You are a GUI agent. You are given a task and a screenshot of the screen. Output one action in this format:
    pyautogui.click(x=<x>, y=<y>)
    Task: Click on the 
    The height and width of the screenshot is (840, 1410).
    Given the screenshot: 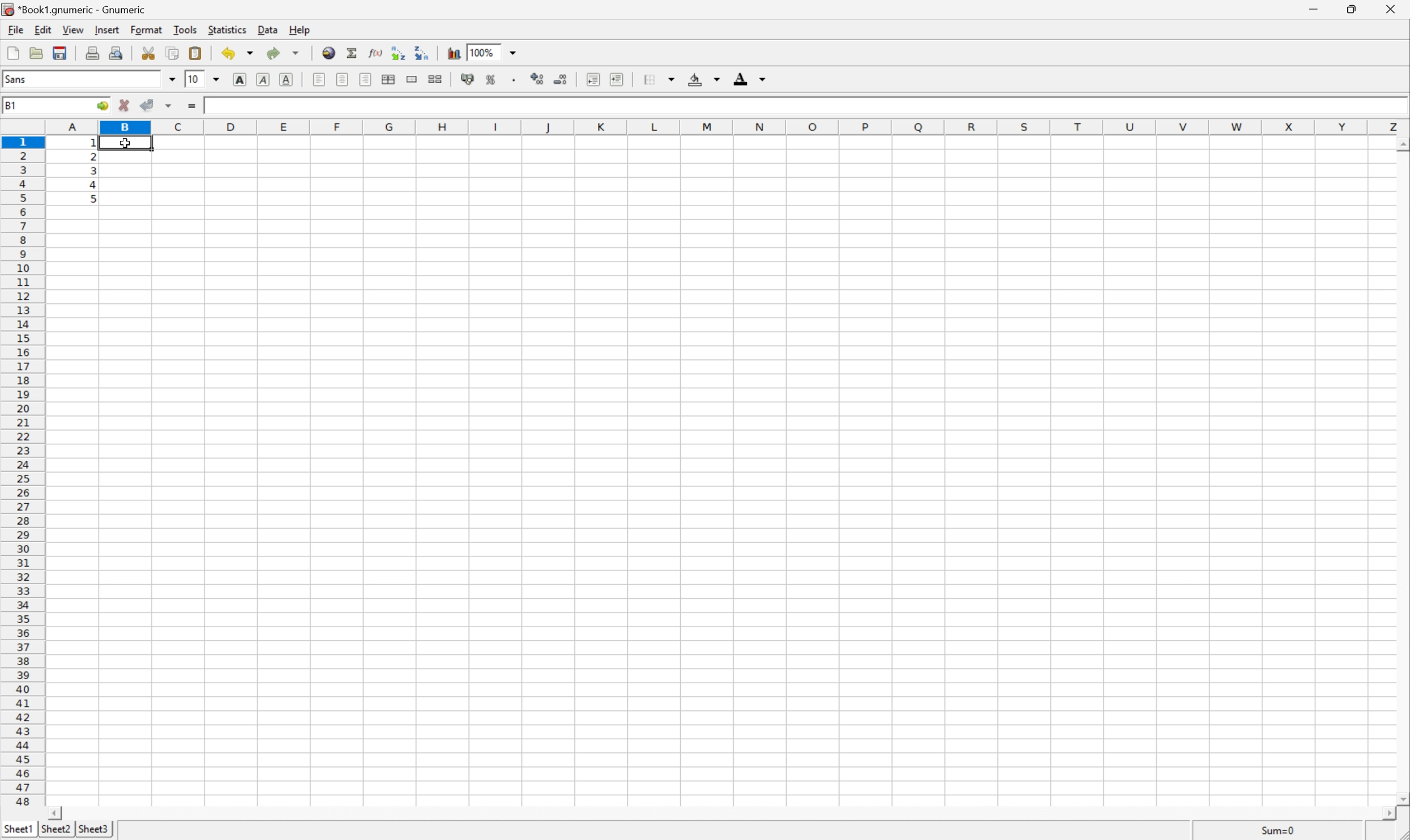 What is the action you would take?
    pyautogui.click(x=169, y=106)
    